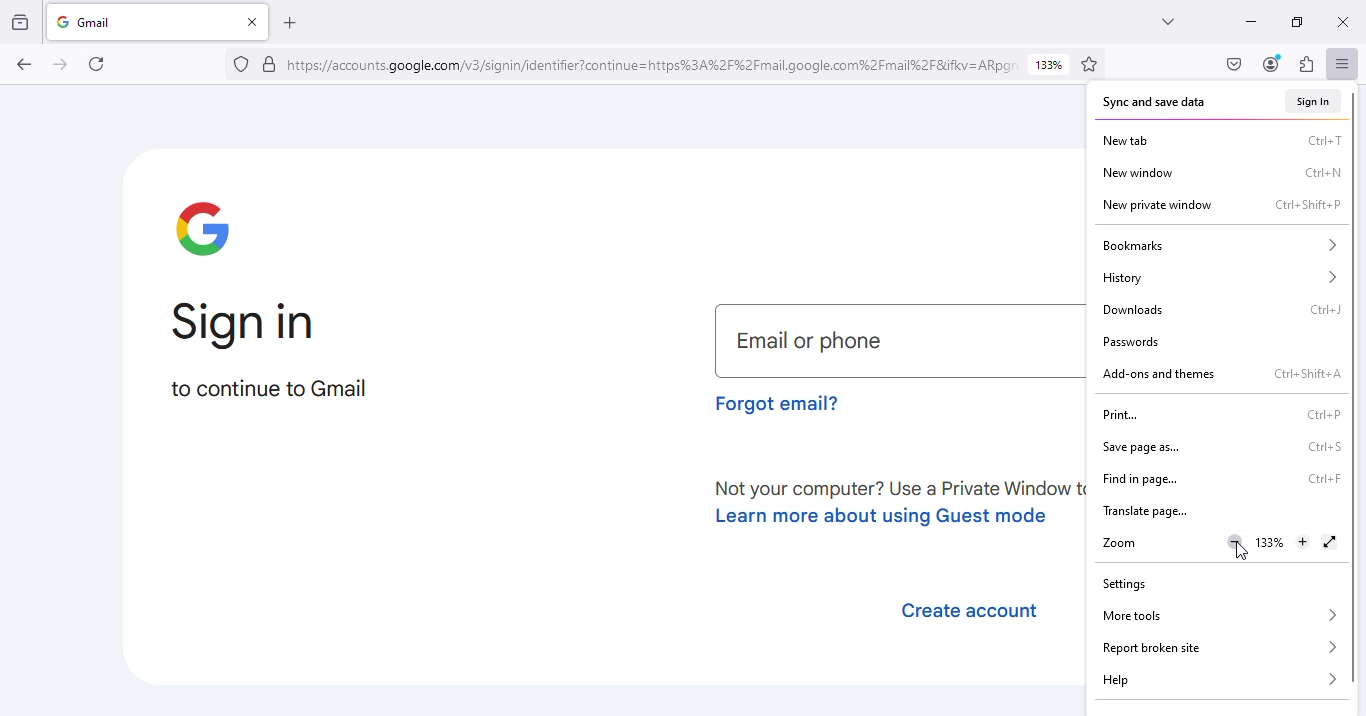  I want to click on go forward one page, so click(61, 65).